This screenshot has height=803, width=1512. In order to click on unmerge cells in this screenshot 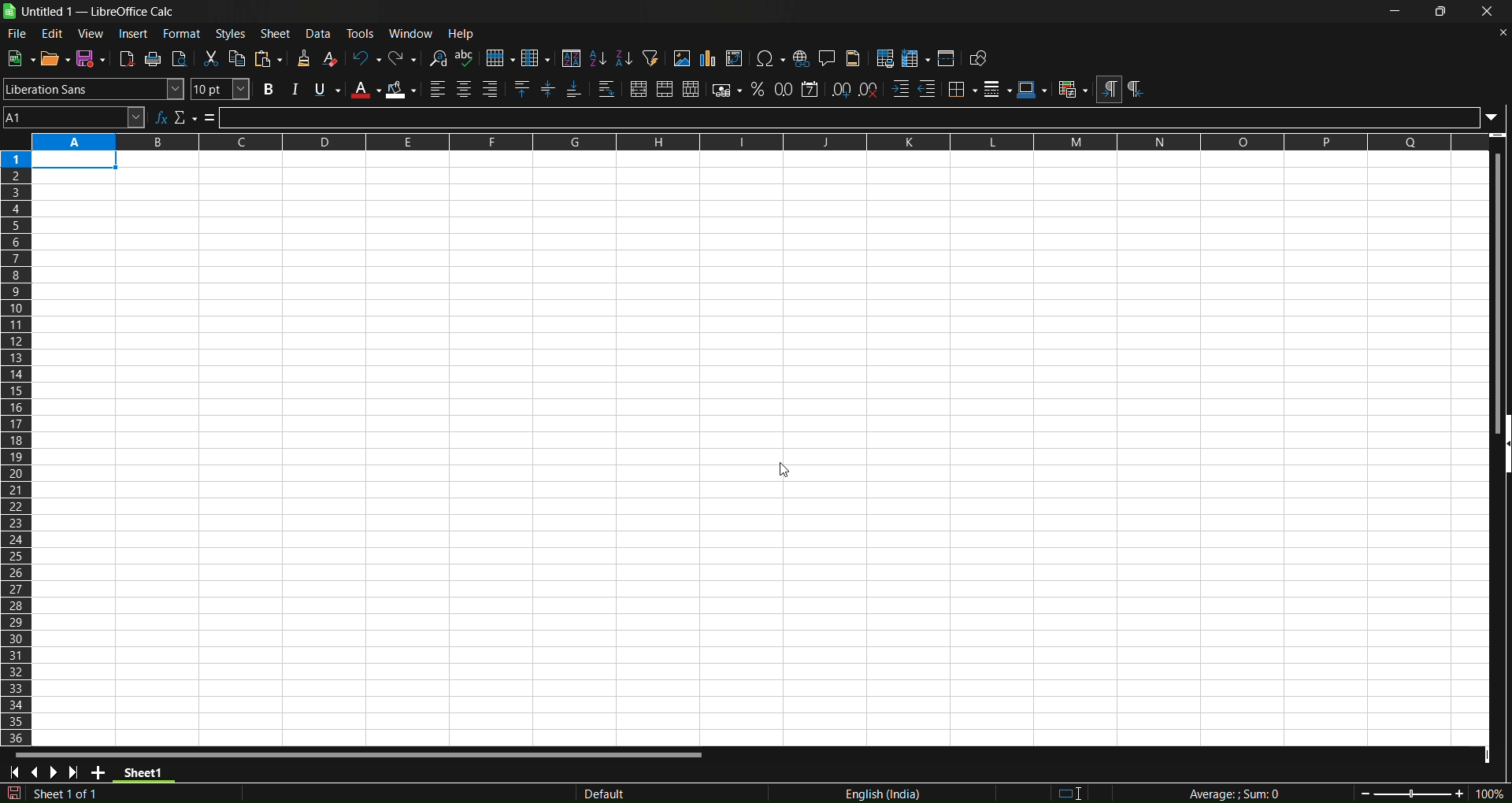, I will do `click(691, 89)`.